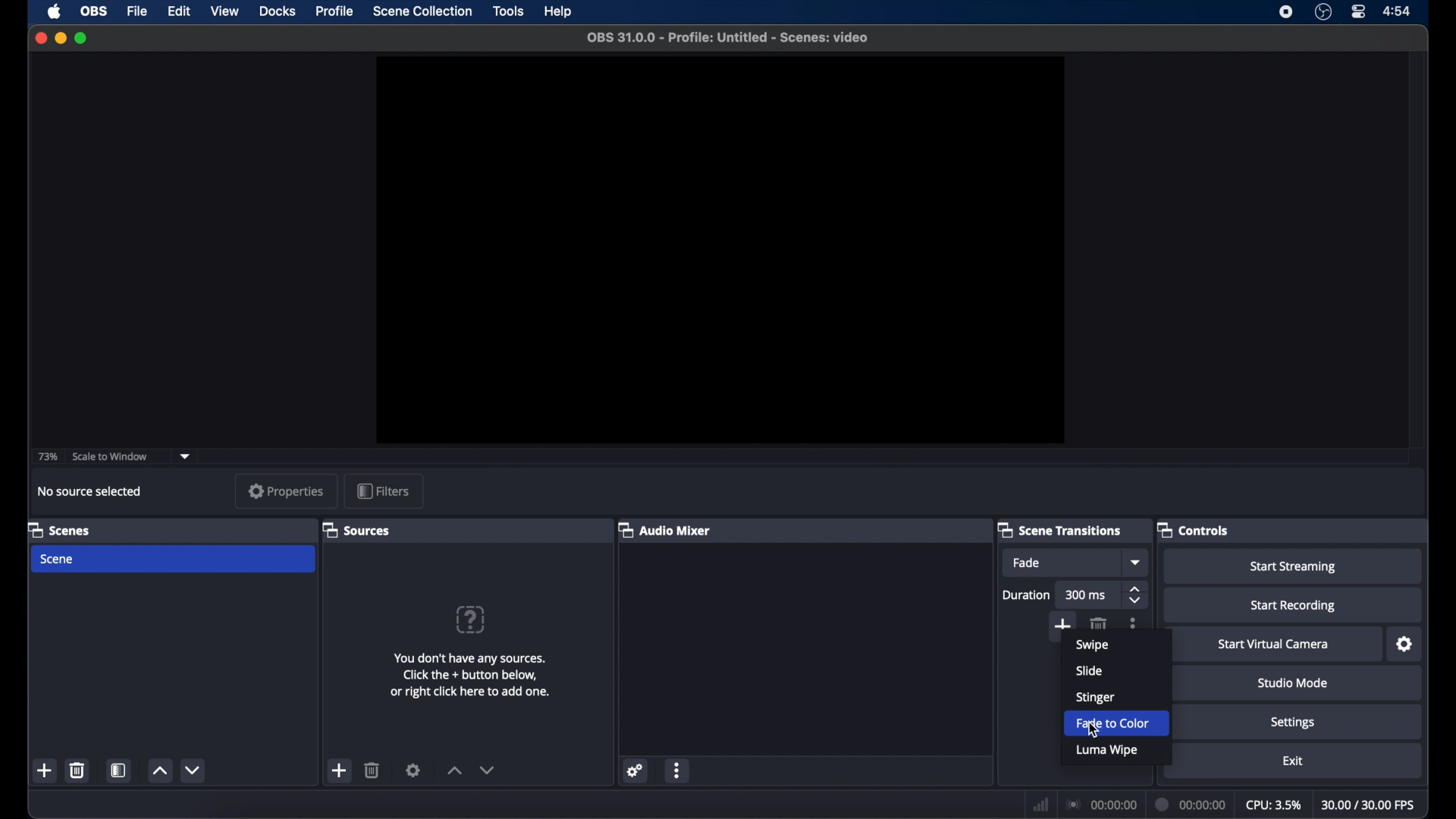 Image resolution: width=1456 pixels, height=819 pixels. Describe the element at coordinates (111, 457) in the screenshot. I see `scale to window` at that location.